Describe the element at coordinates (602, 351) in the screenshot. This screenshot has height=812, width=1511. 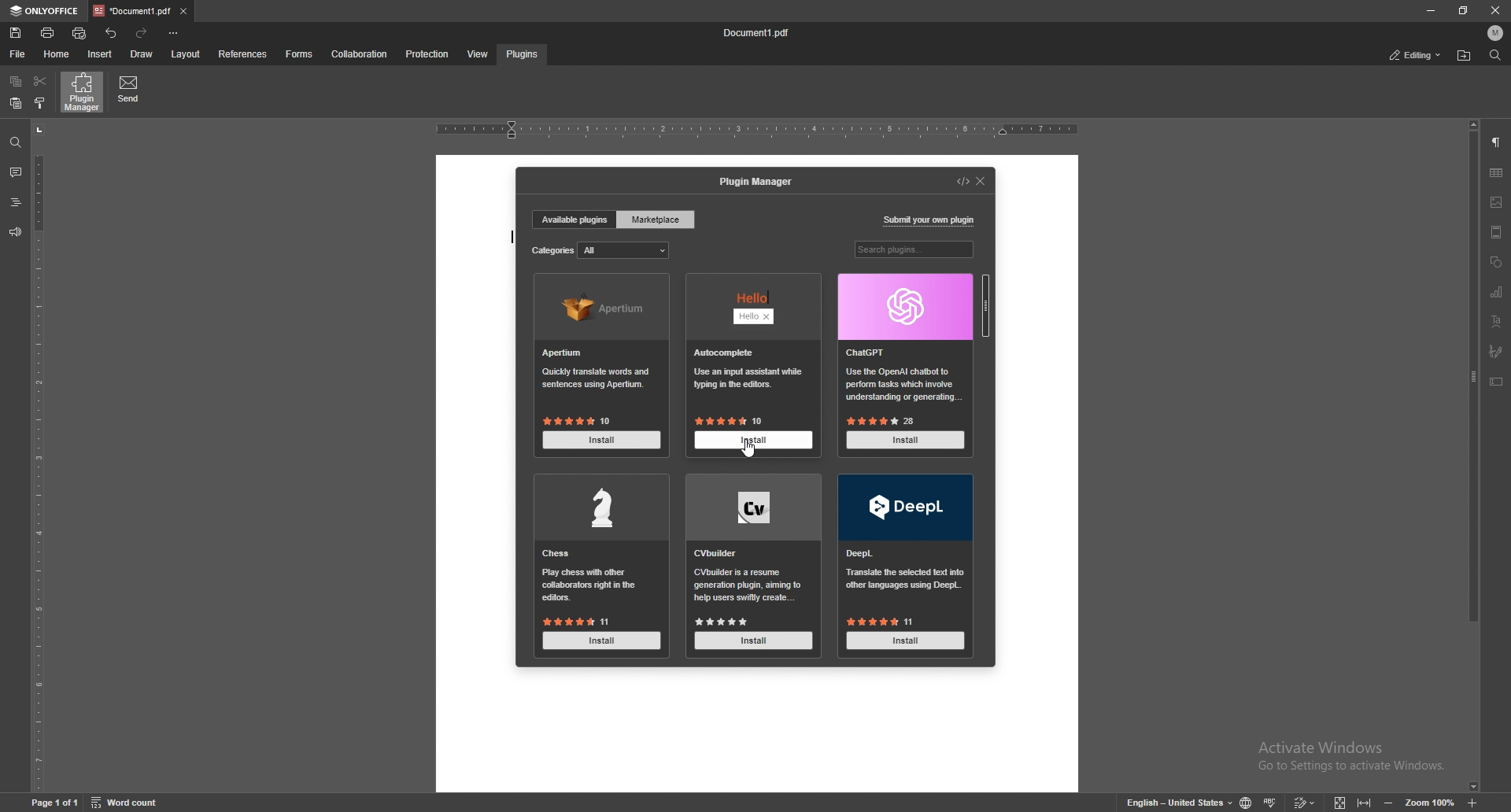
I see `apertium` at that location.